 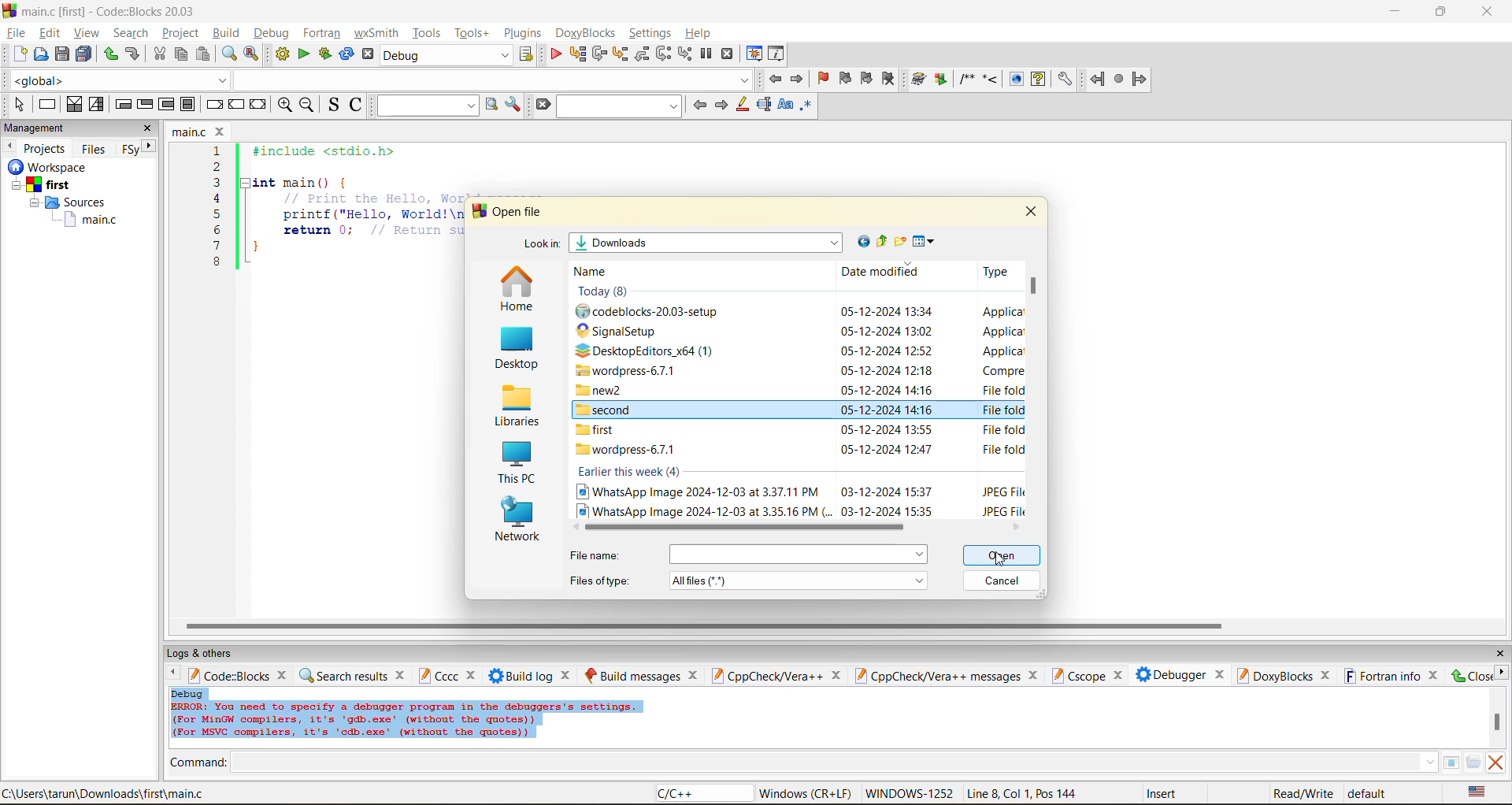 I want to click on toggle source, so click(x=335, y=104).